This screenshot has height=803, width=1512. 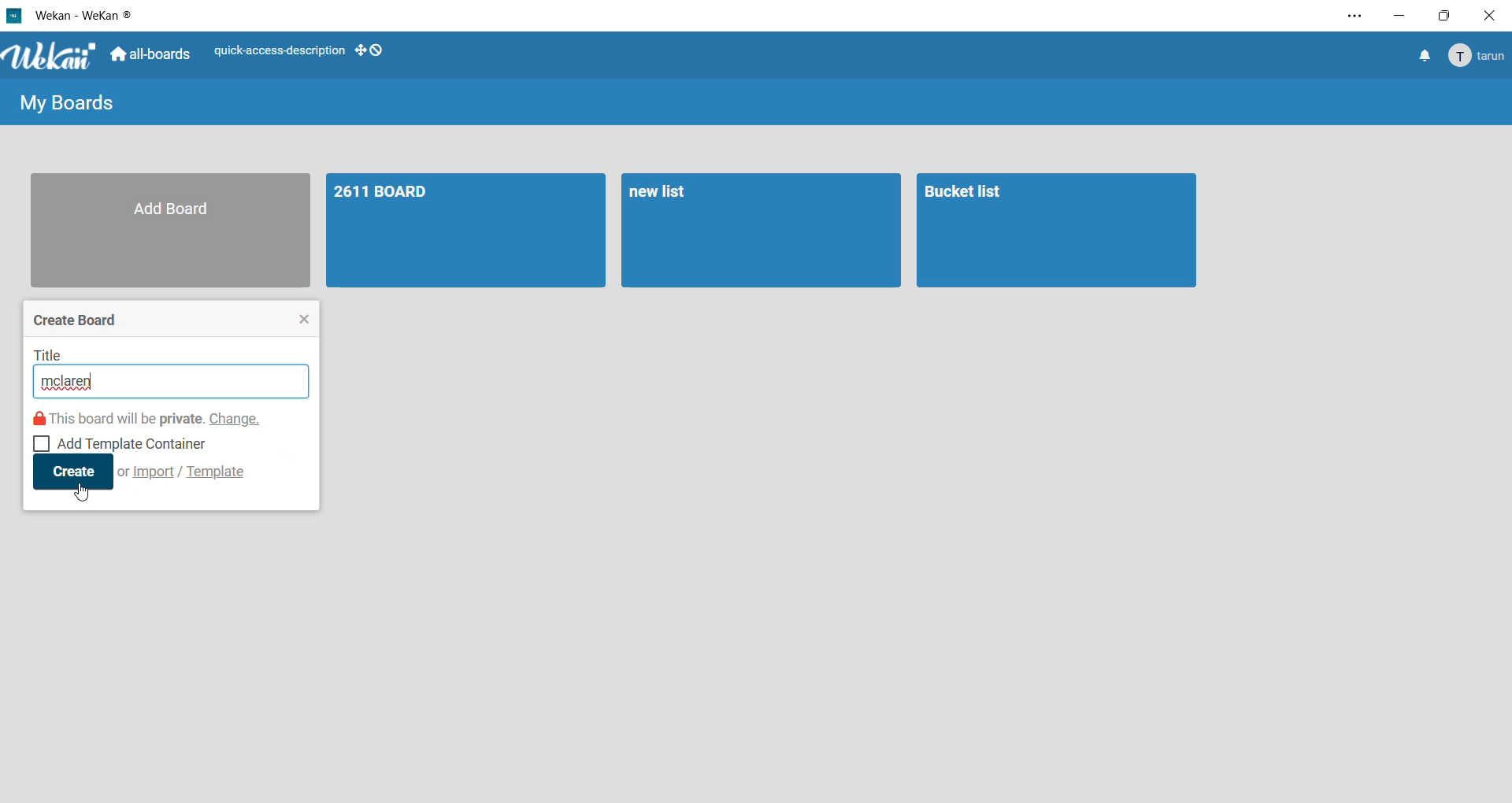 What do you see at coordinates (762, 232) in the screenshot?
I see `board 2` at bounding box center [762, 232].